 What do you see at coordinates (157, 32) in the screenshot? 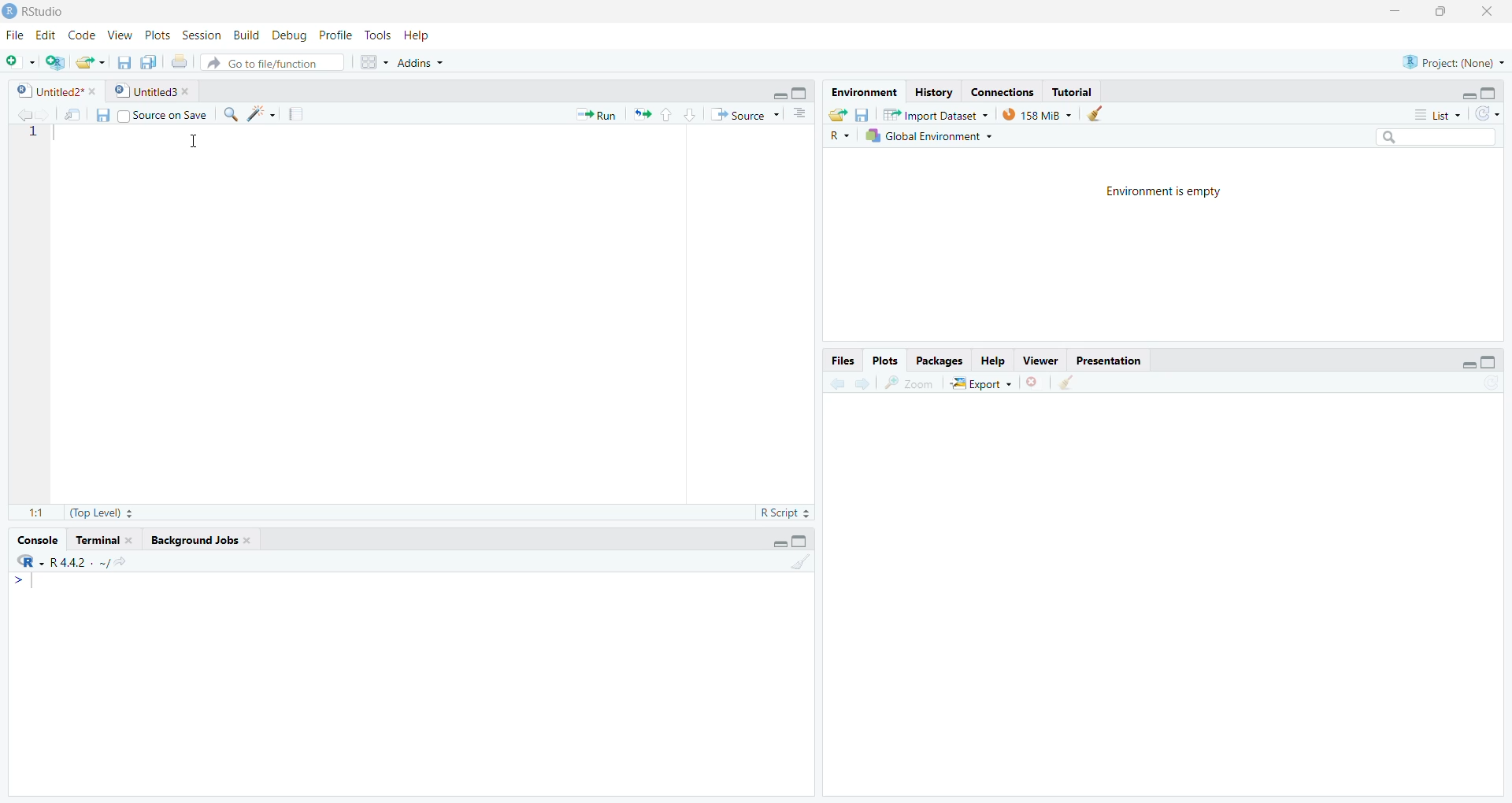
I see `Plots` at bounding box center [157, 32].